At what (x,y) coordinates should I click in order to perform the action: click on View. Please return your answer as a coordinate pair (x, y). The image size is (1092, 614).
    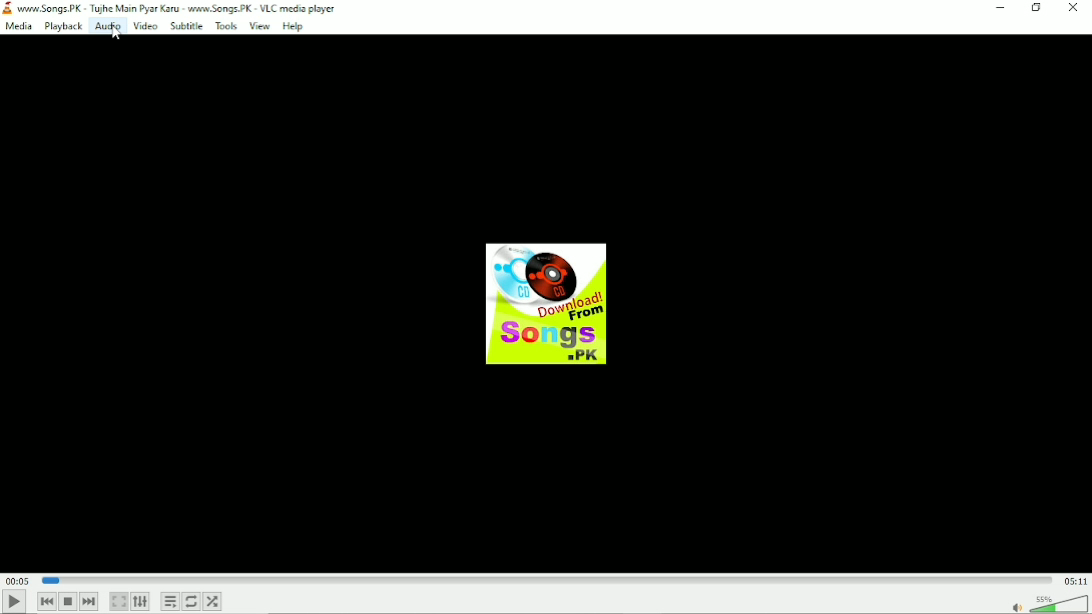
    Looking at the image, I should click on (258, 26).